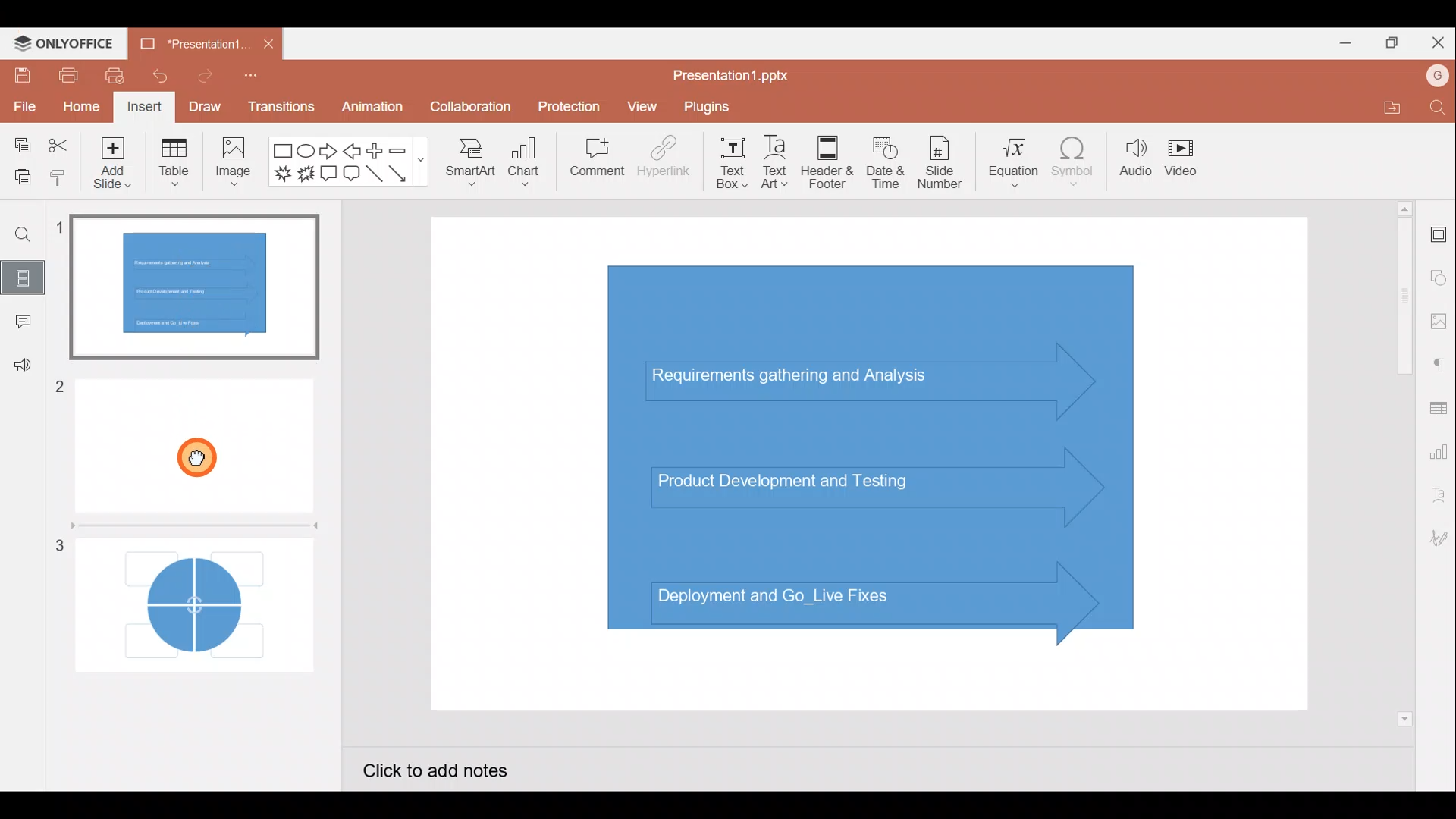 The width and height of the screenshot is (1456, 819). What do you see at coordinates (192, 438) in the screenshot?
I see `Slide 2` at bounding box center [192, 438].